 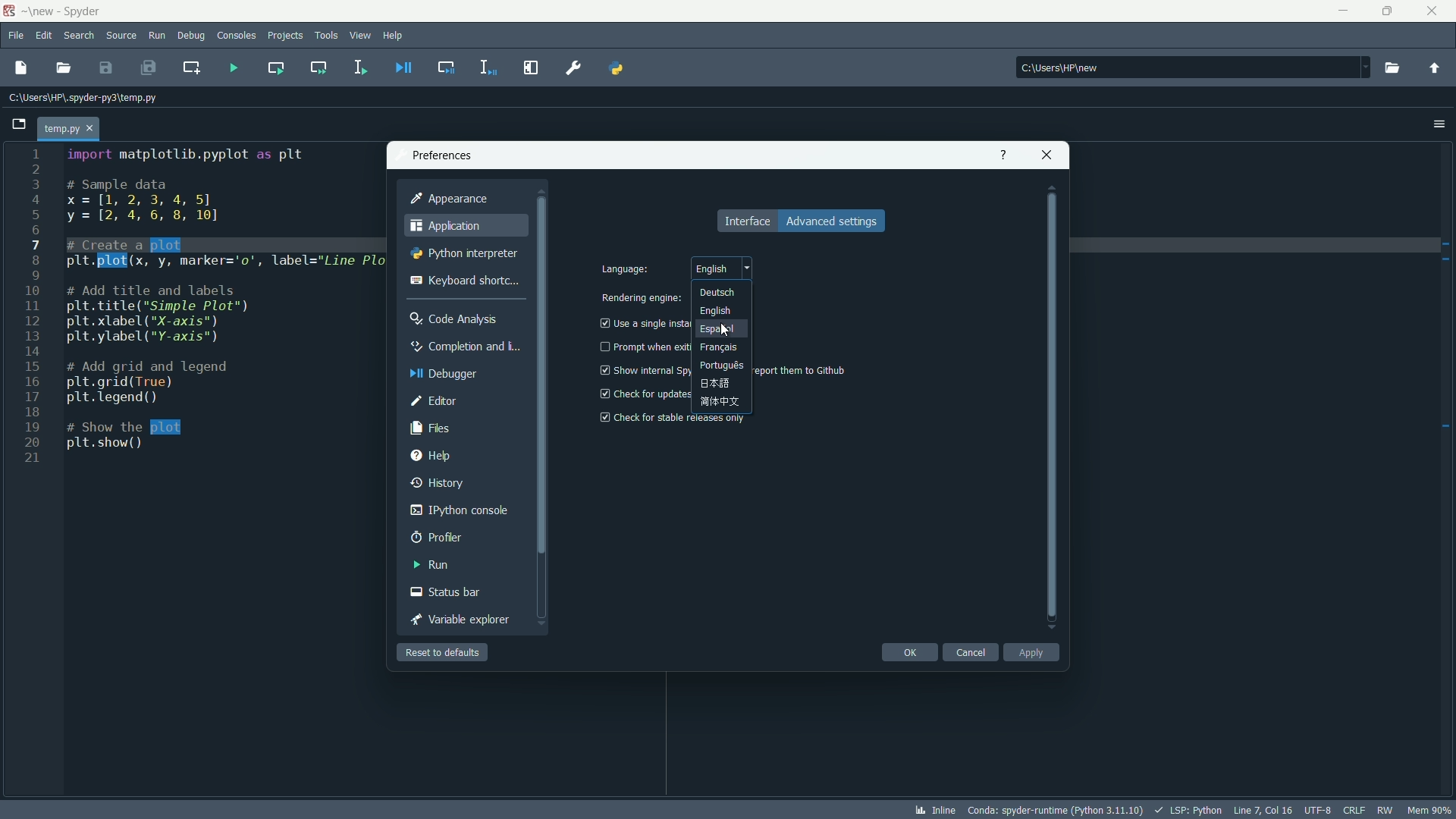 What do you see at coordinates (1392, 67) in the screenshot?
I see `browse directory` at bounding box center [1392, 67].